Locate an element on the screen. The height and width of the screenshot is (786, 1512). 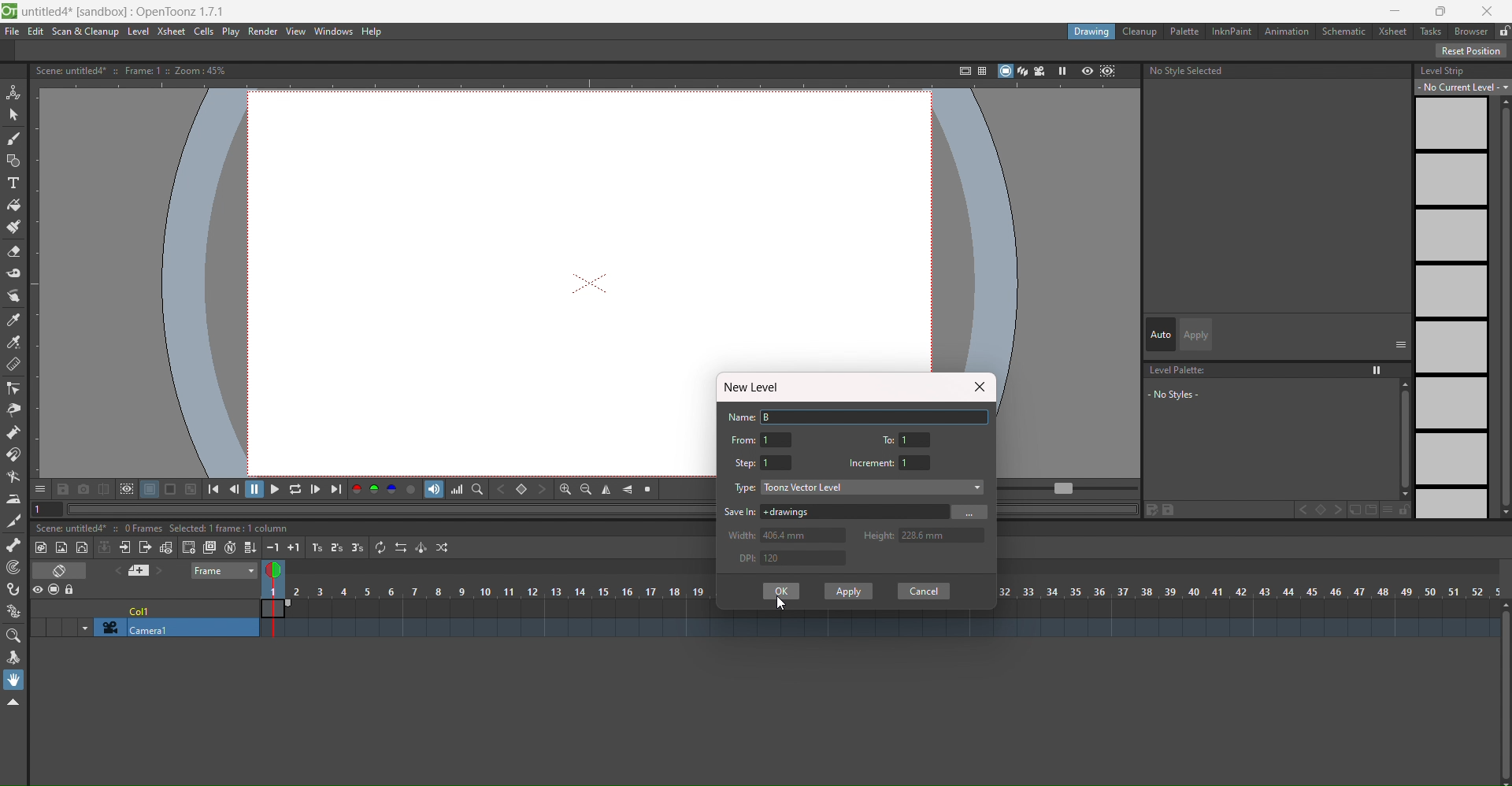
tool is located at coordinates (172, 489).